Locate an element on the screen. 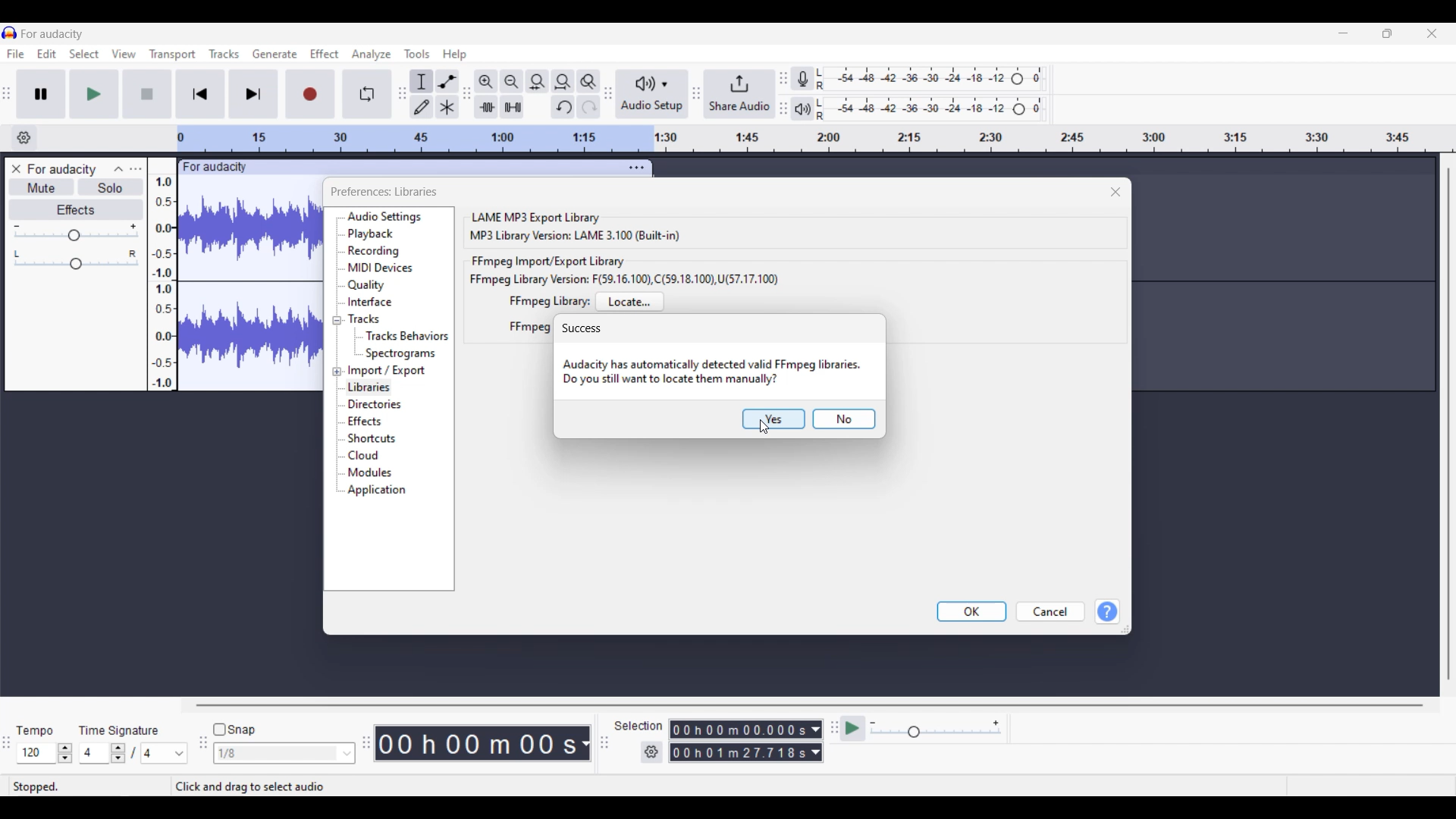  Vertical slide bar is located at coordinates (1448, 425).